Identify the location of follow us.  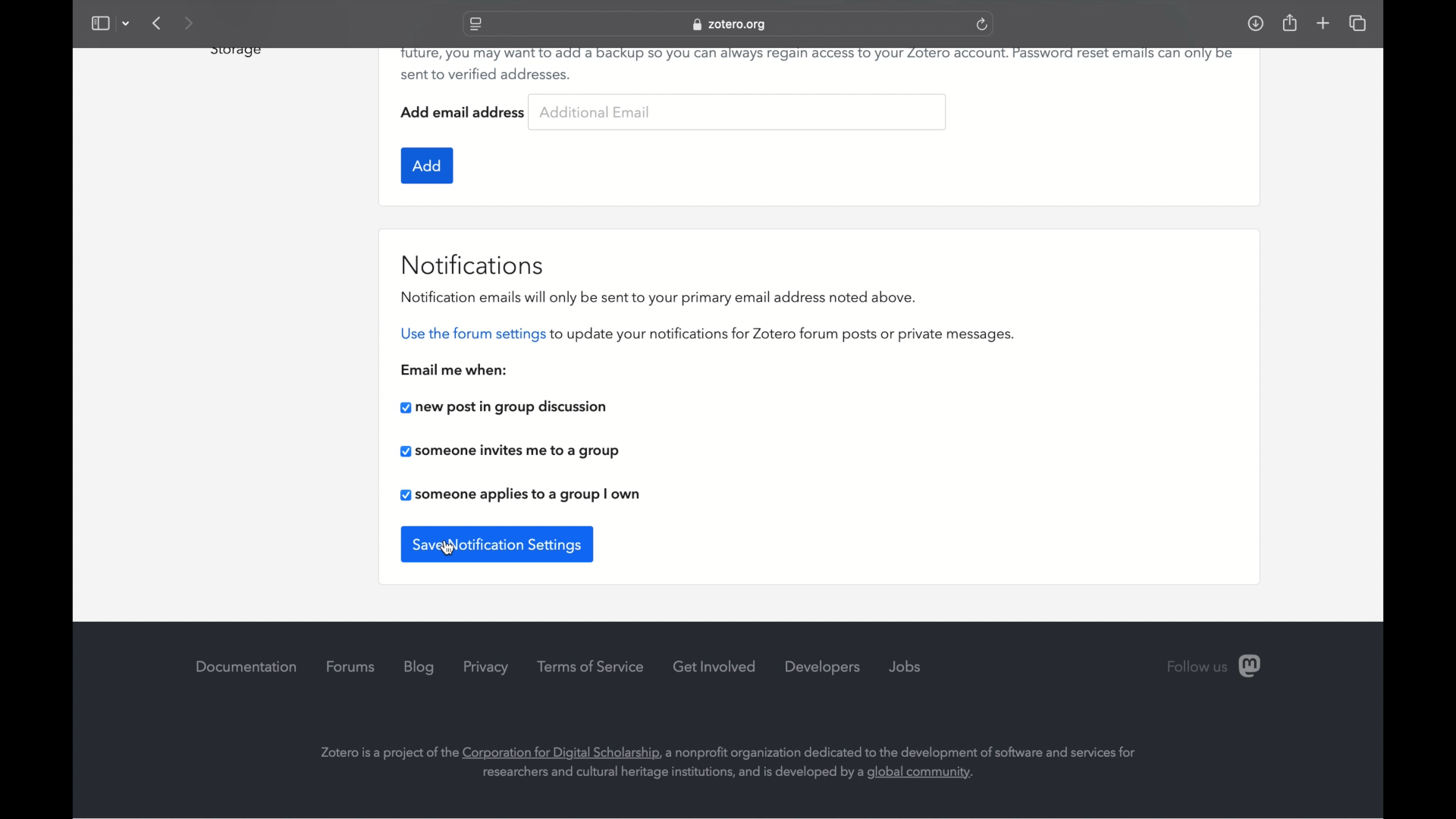
(1216, 667).